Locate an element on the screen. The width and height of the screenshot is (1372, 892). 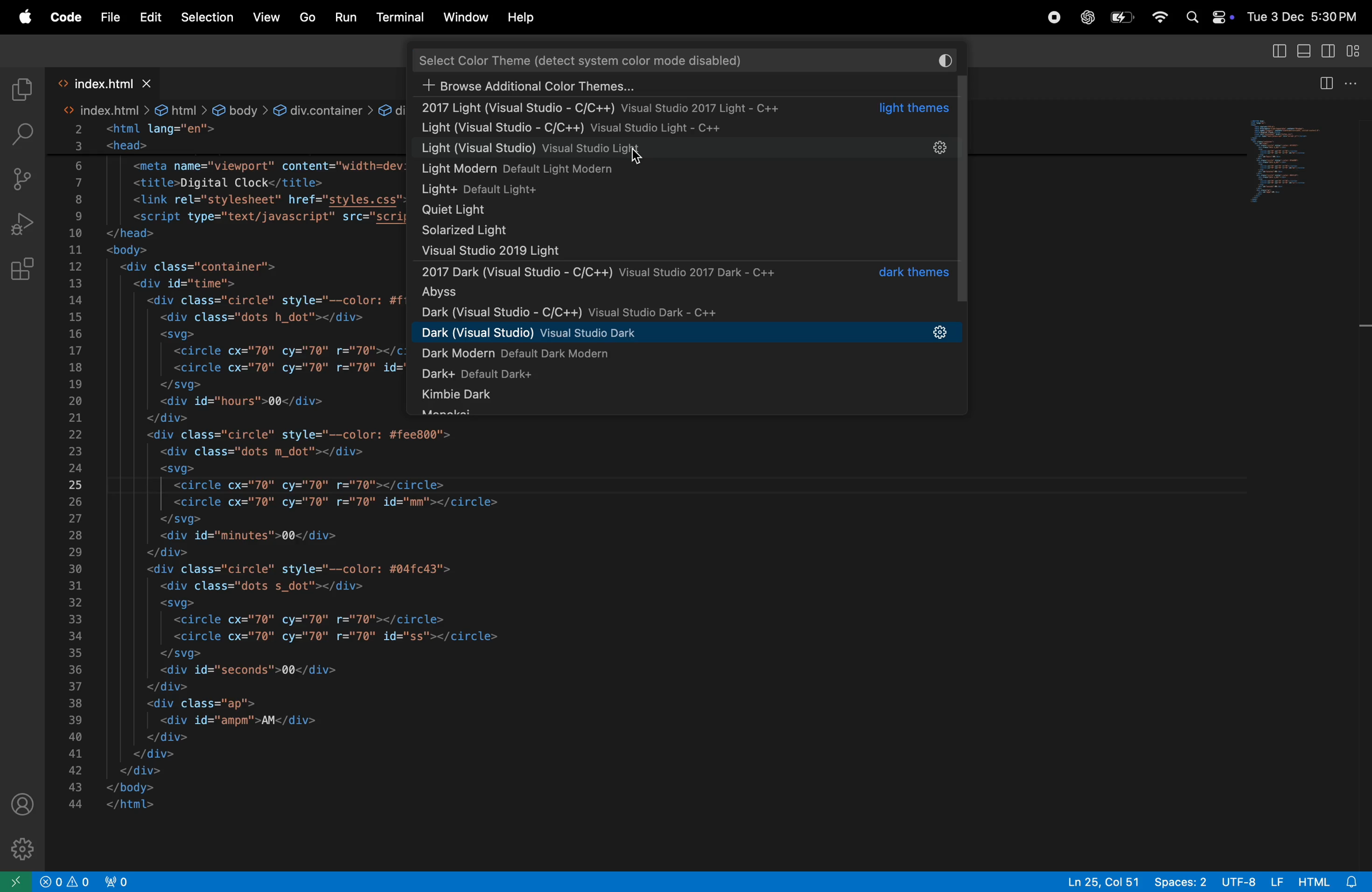
chatgpt is located at coordinates (1087, 16).